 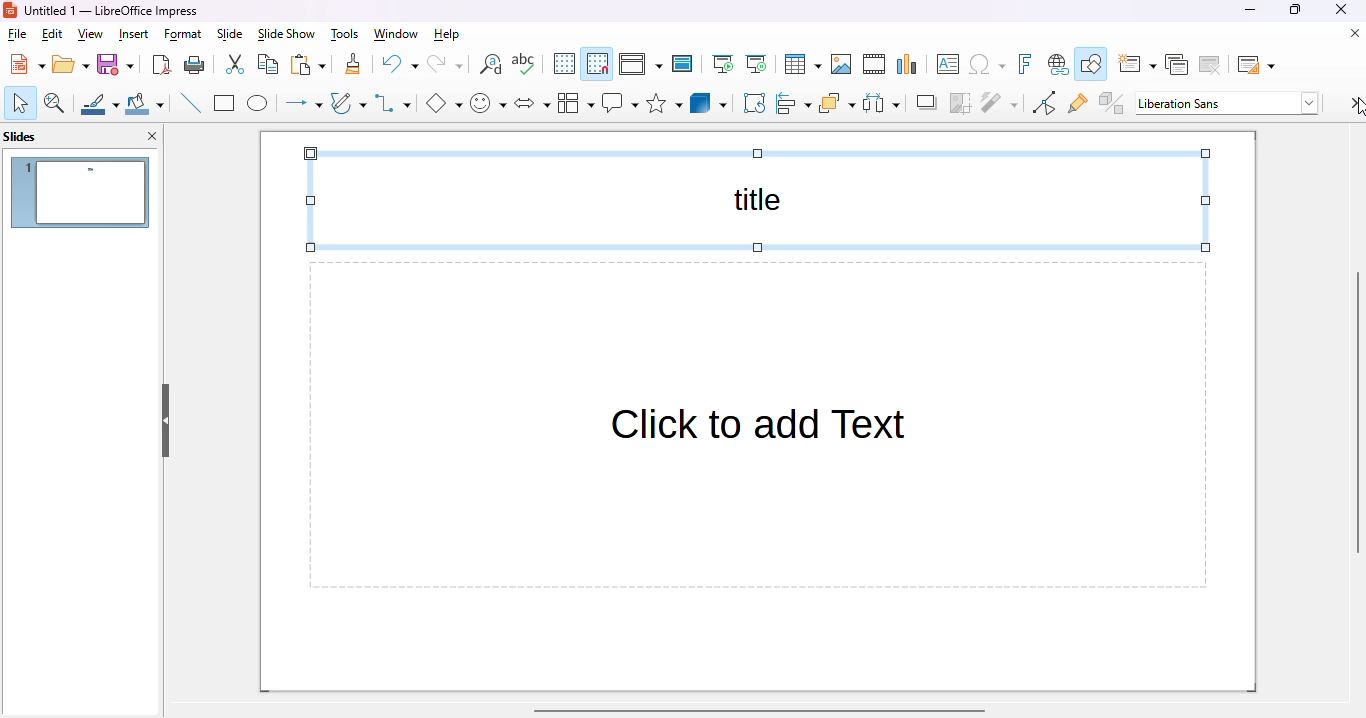 I want to click on logo, so click(x=10, y=11).